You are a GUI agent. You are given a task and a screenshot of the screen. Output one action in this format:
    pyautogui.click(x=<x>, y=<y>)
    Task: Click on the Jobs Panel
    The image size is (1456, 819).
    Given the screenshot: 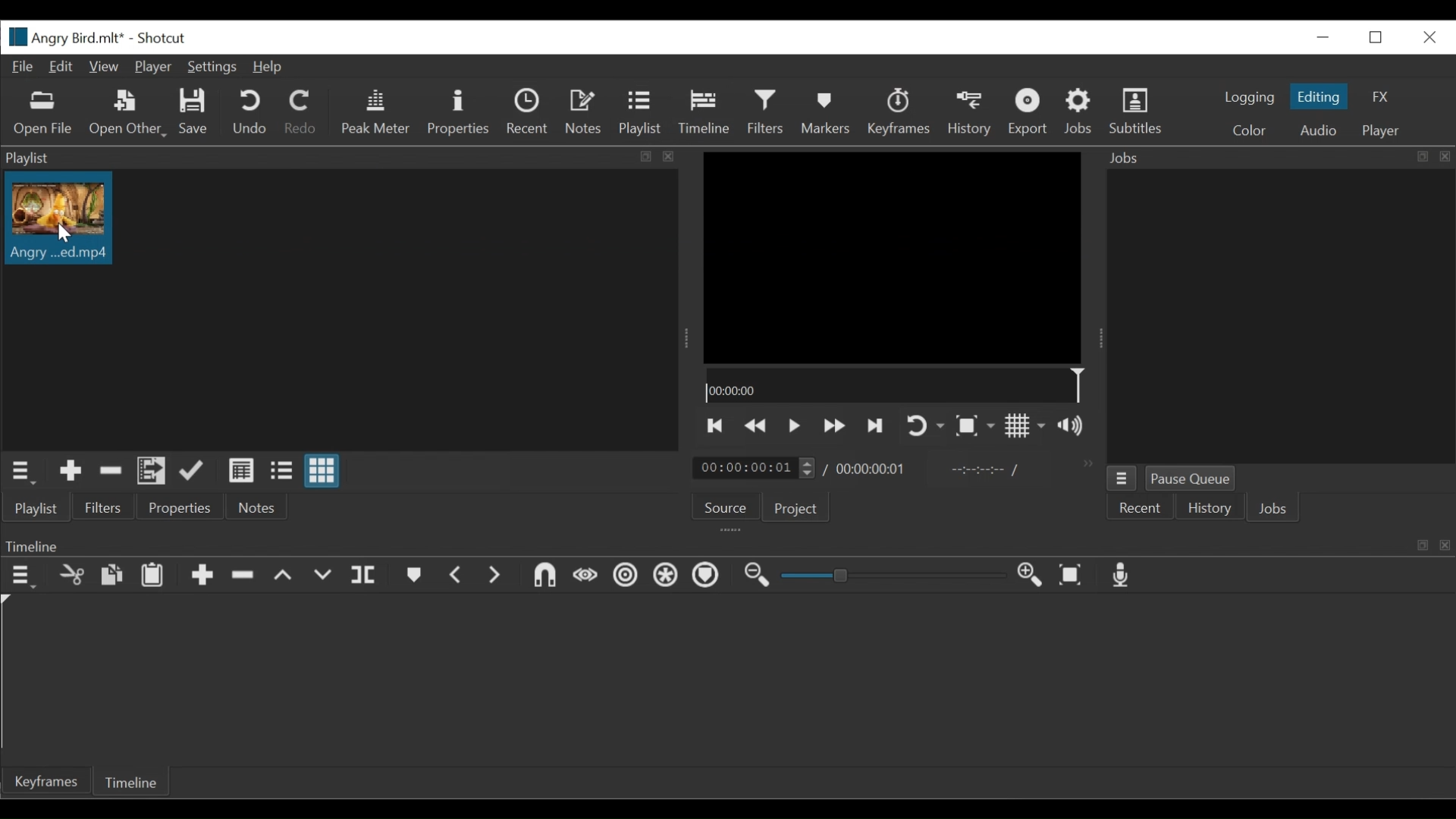 What is the action you would take?
    pyautogui.click(x=1278, y=157)
    